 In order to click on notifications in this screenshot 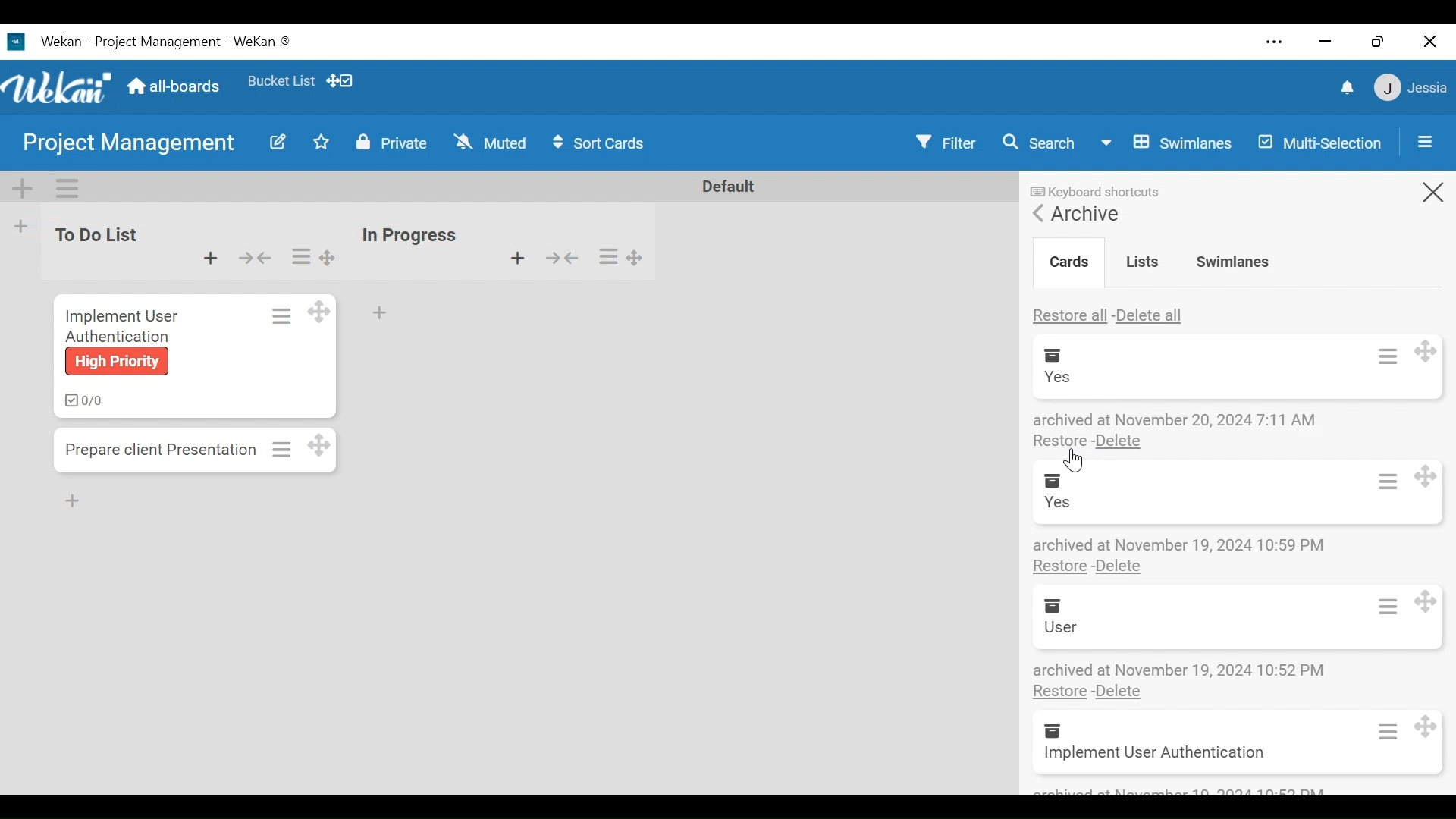, I will do `click(1349, 88)`.